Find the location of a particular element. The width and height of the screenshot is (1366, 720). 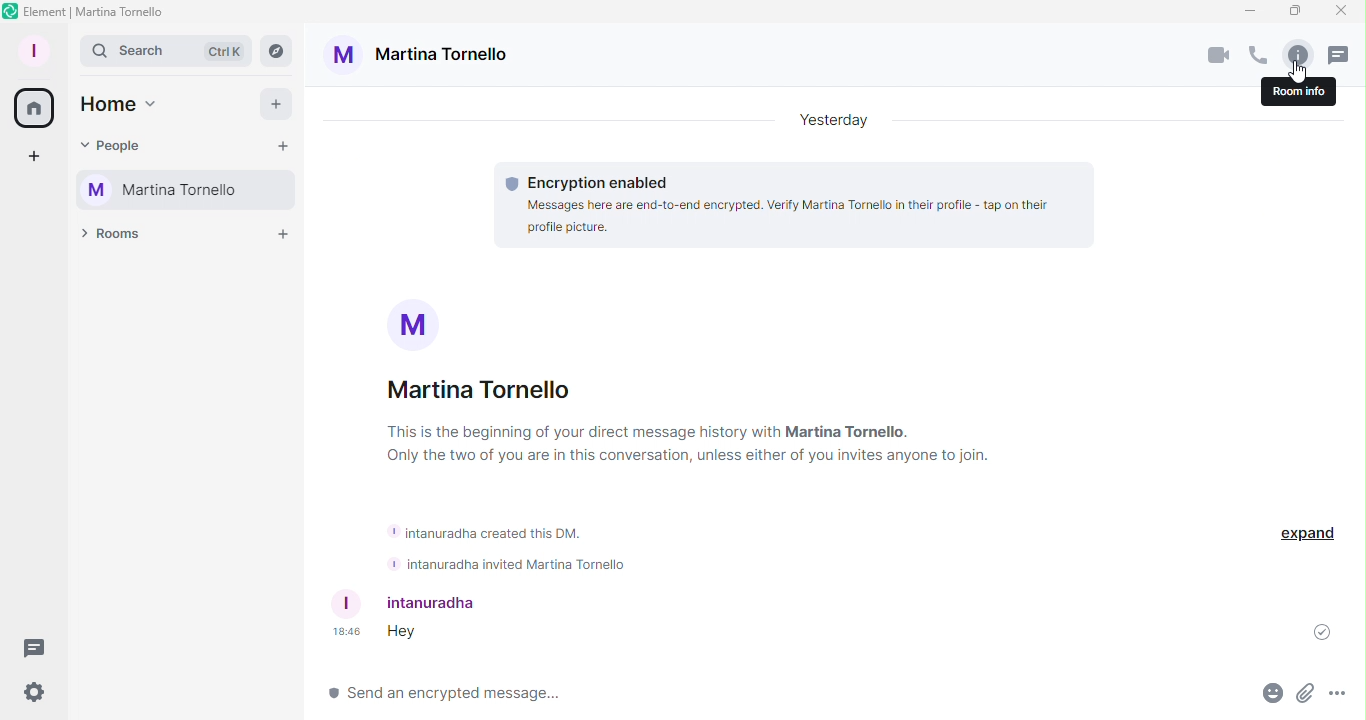

More options is located at coordinates (1342, 696).